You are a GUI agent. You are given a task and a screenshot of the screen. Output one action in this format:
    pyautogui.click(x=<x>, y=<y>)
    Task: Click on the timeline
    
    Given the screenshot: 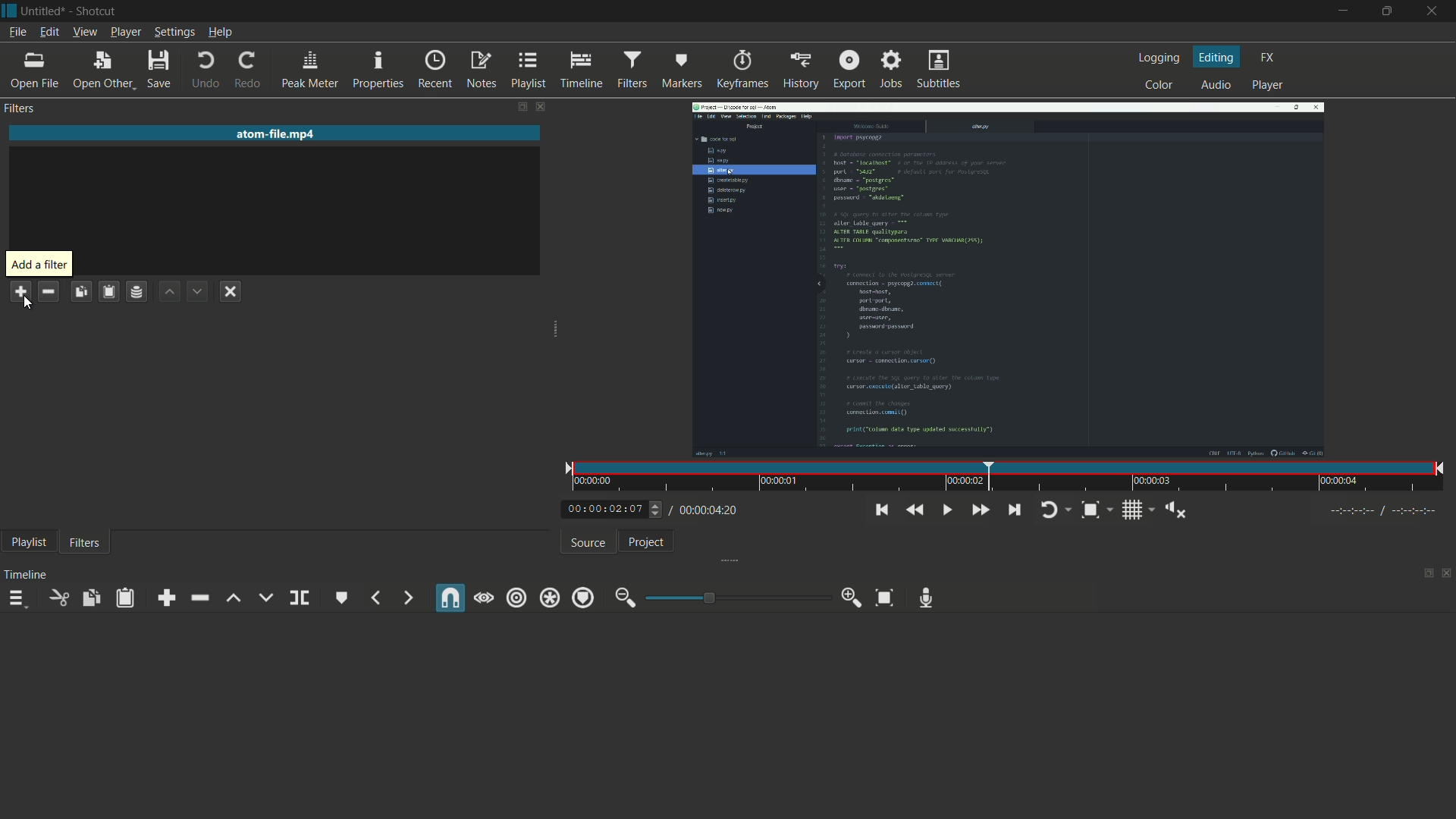 What is the action you would take?
    pyautogui.click(x=26, y=573)
    